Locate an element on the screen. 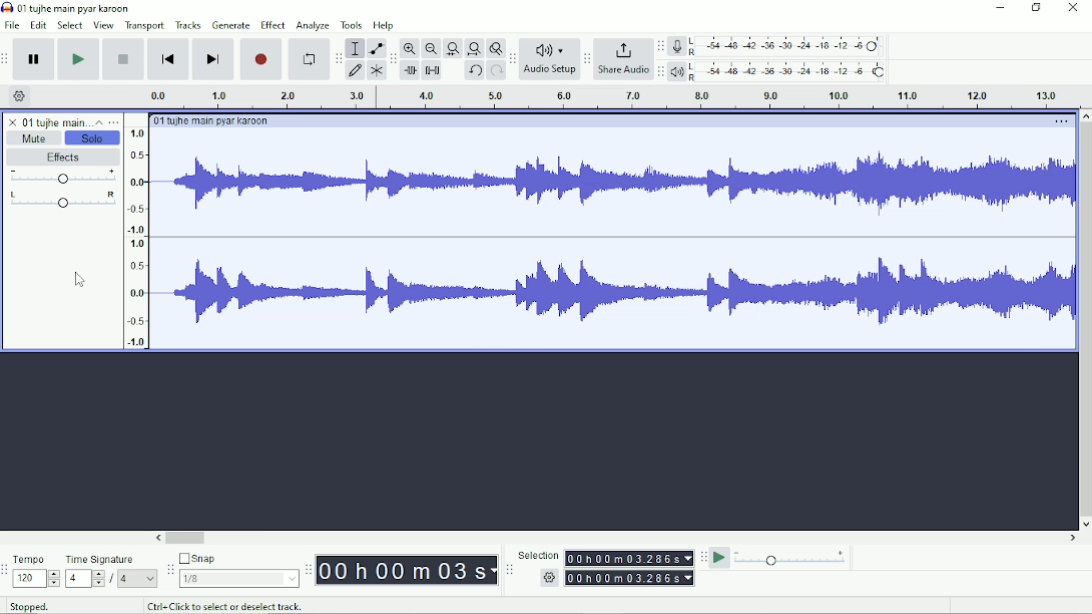  Audacity recording meter toolbar  is located at coordinates (659, 47).